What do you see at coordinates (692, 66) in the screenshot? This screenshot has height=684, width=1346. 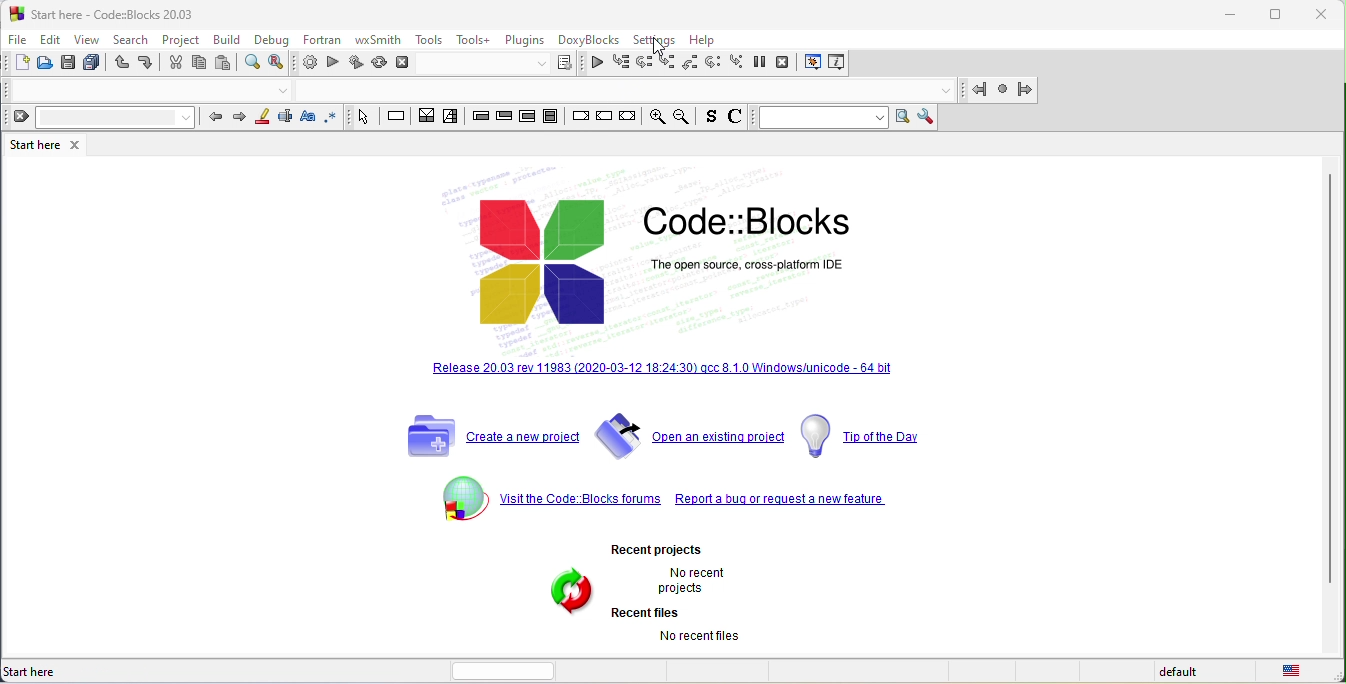 I see `step out` at bounding box center [692, 66].